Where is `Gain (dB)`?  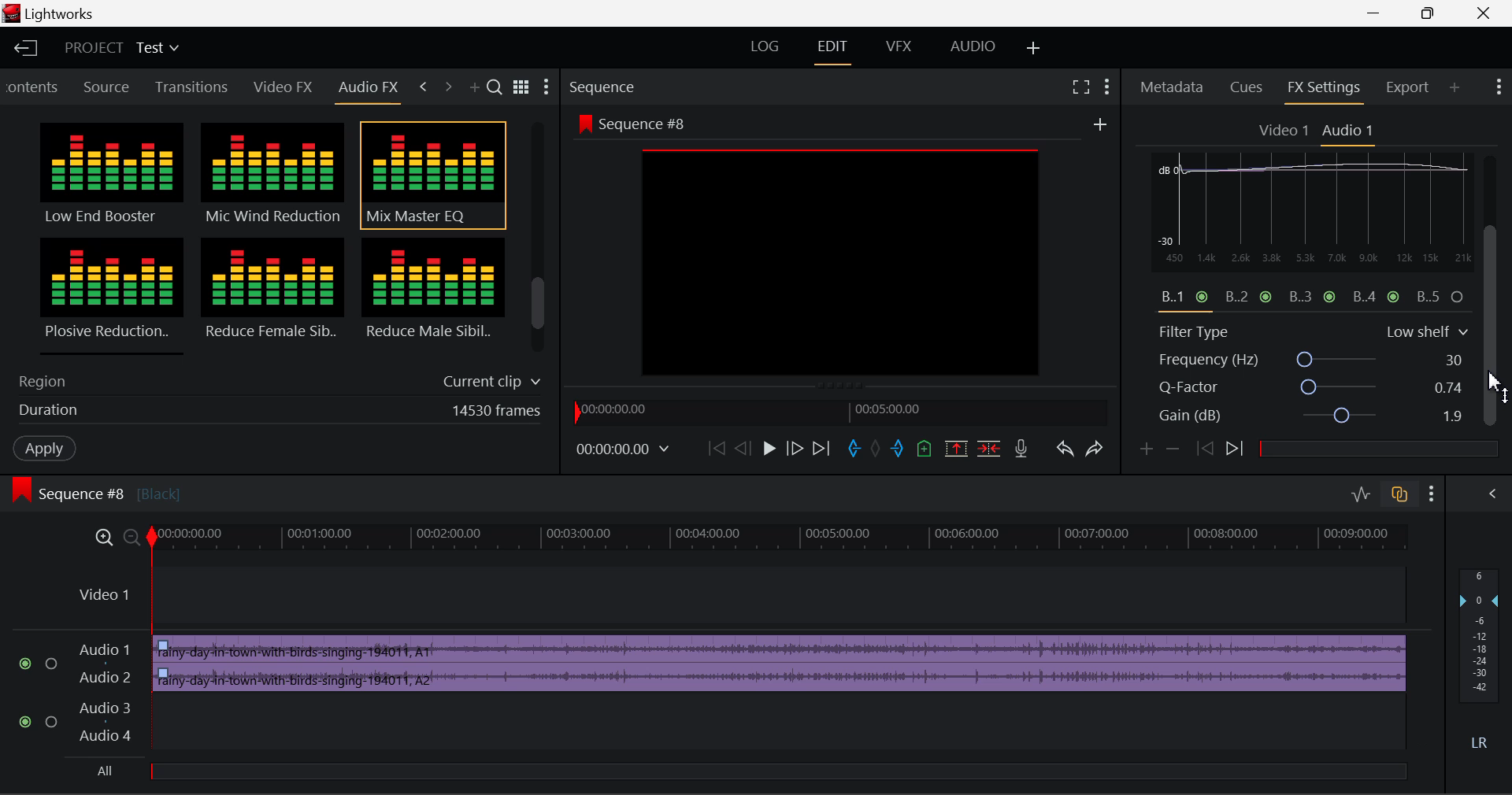
Gain (dB) is located at coordinates (1310, 418).